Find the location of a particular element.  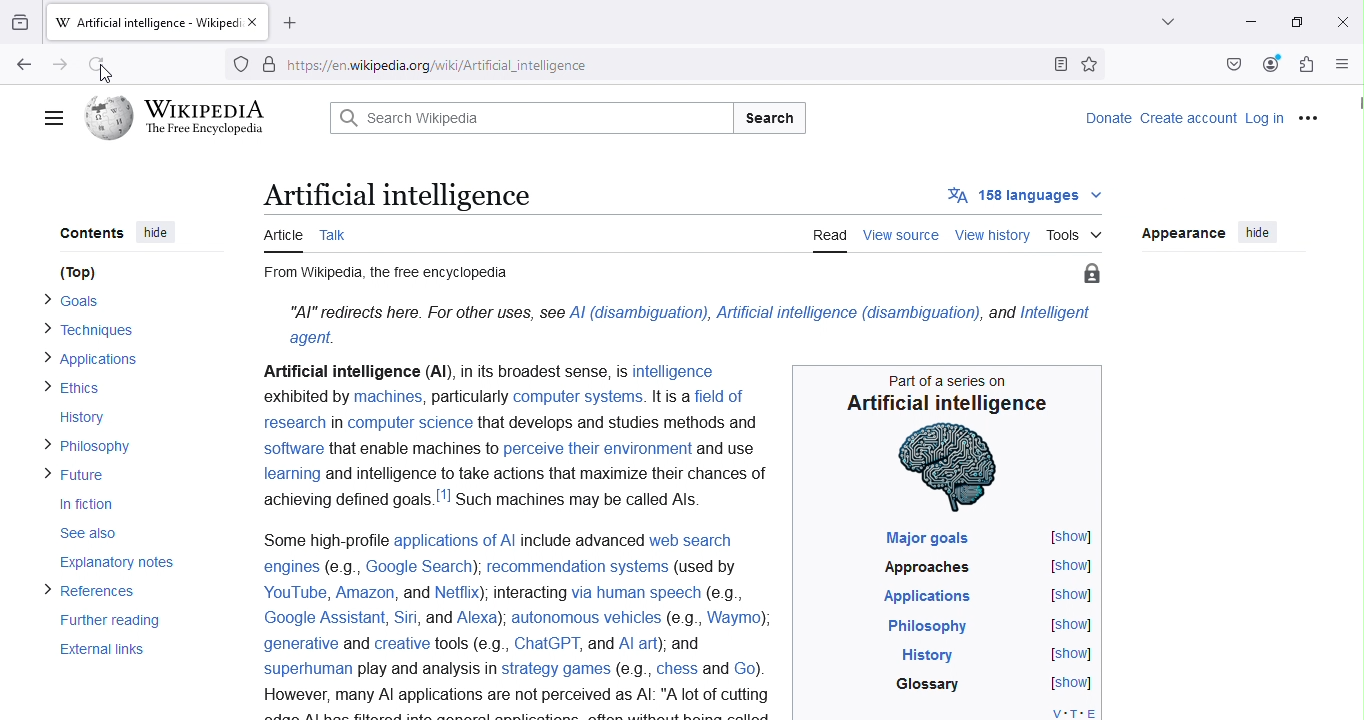

superhuman is located at coordinates (303, 668).